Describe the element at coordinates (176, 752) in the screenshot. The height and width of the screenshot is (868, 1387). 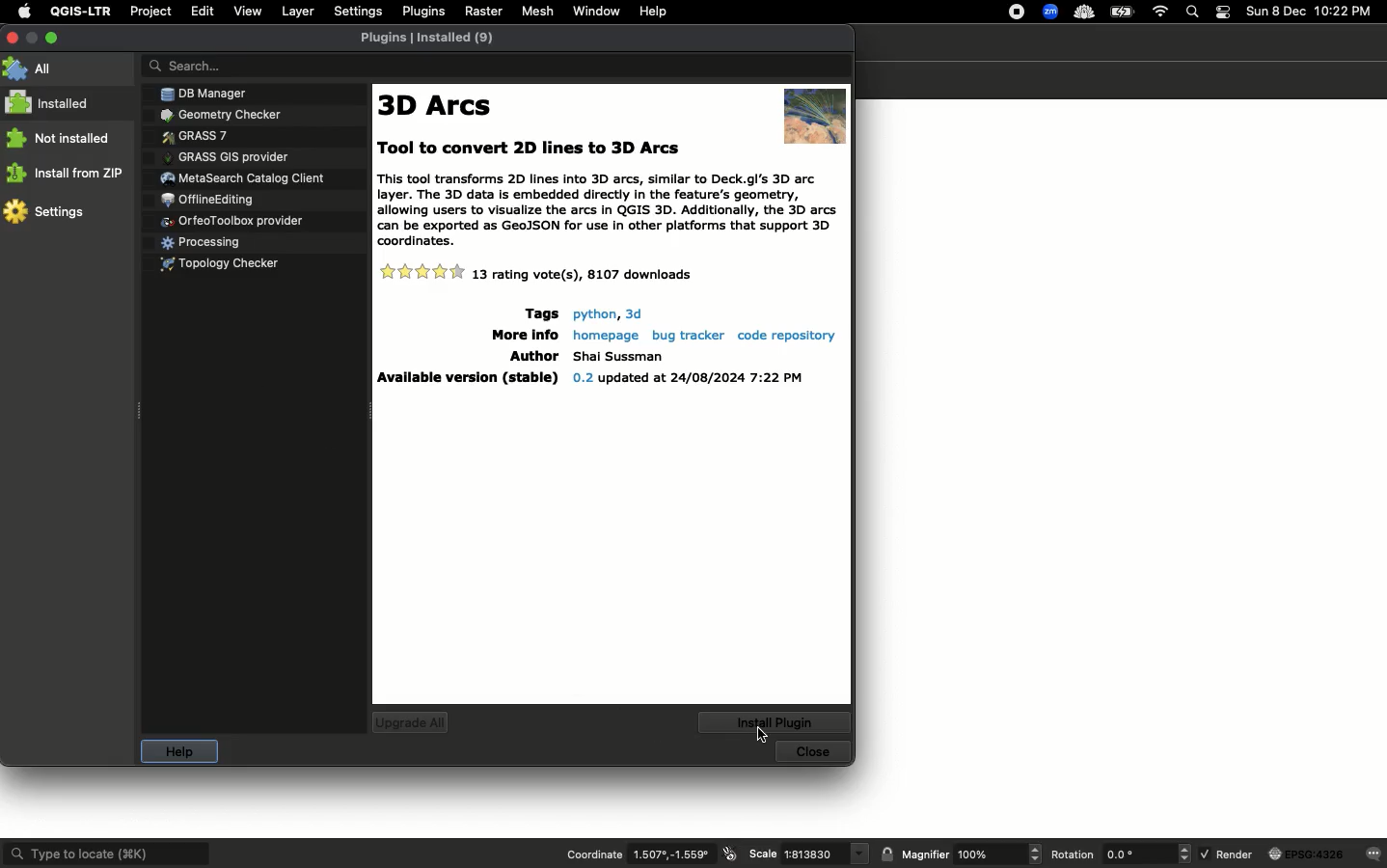
I see `Help` at that location.